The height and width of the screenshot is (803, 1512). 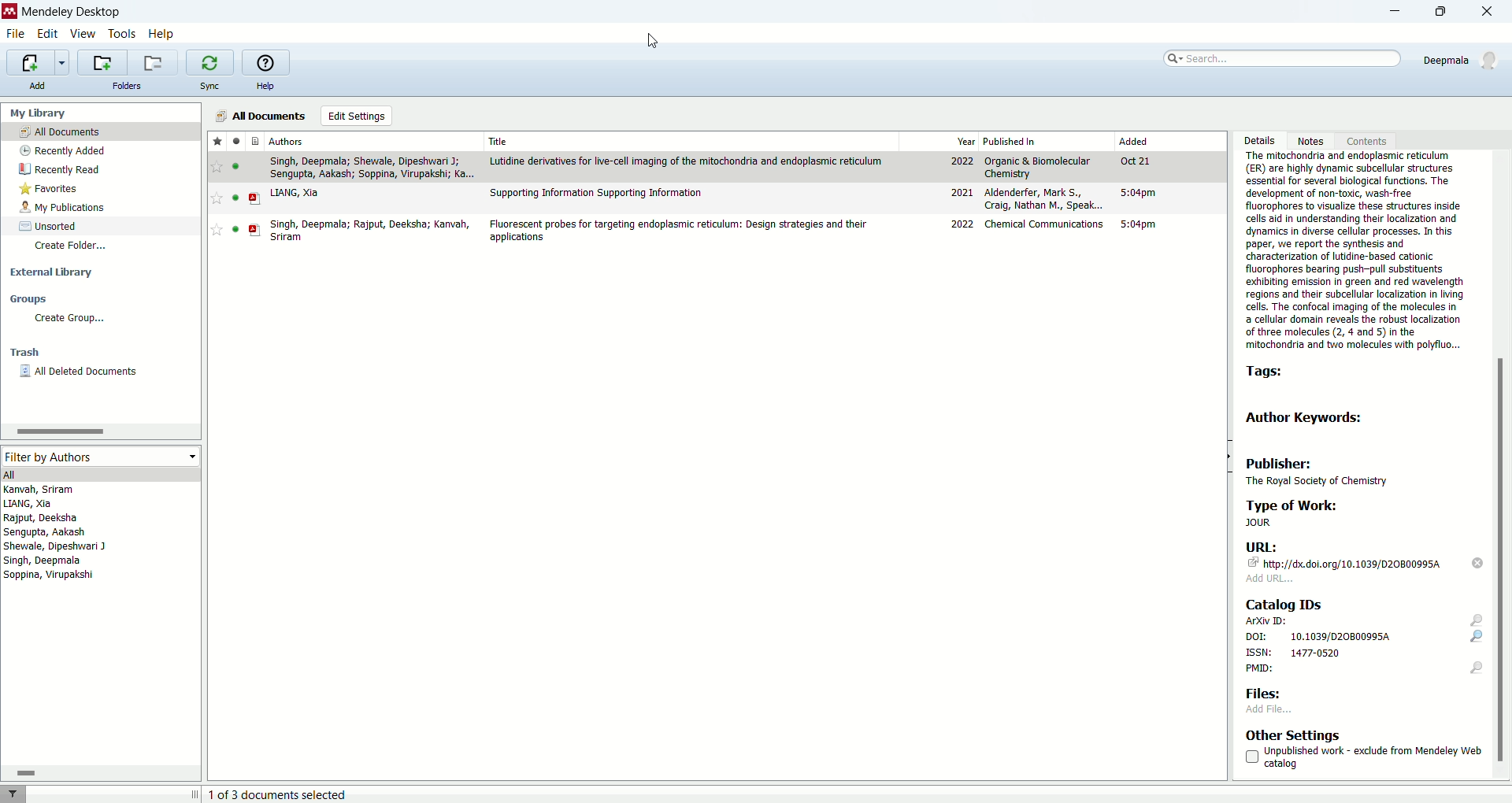 What do you see at coordinates (264, 61) in the screenshot?
I see `online help guide for mendeley` at bounding box center [264, 61].